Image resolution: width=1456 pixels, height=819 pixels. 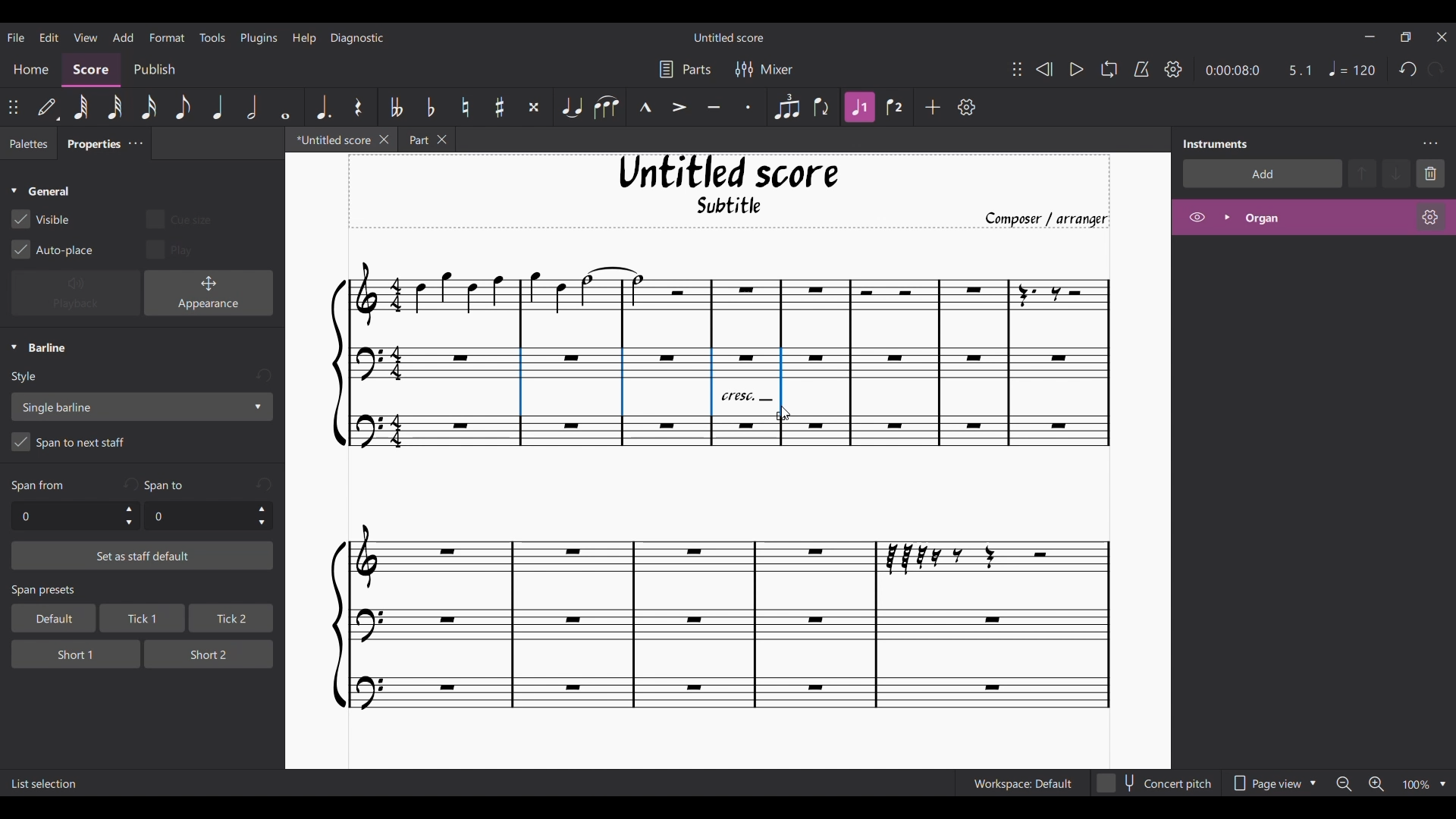 I want to click on Composer/arranger, so click(x=1053, y=219).